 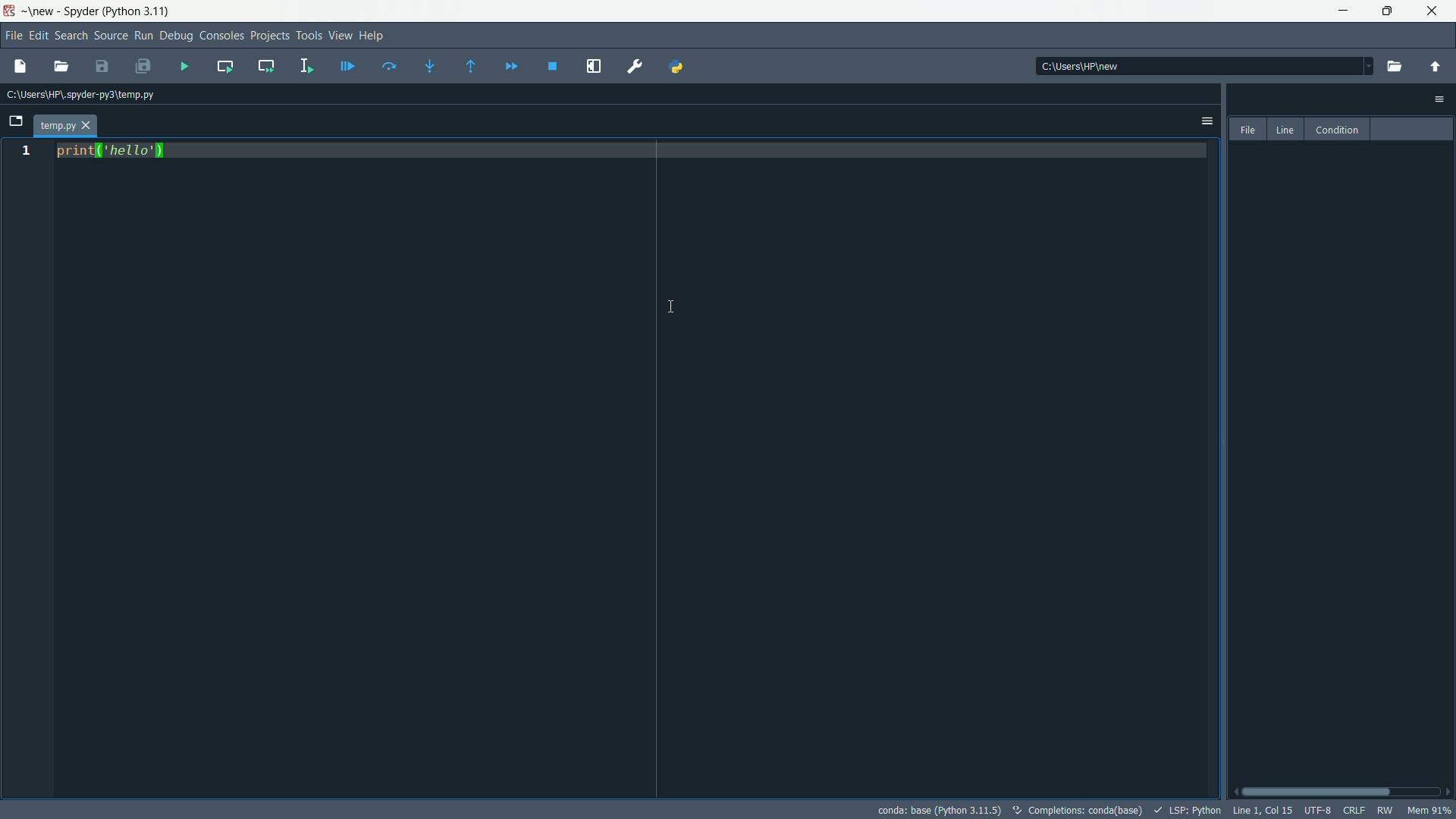 I want to click on run current file, so click(x=390, y=67).